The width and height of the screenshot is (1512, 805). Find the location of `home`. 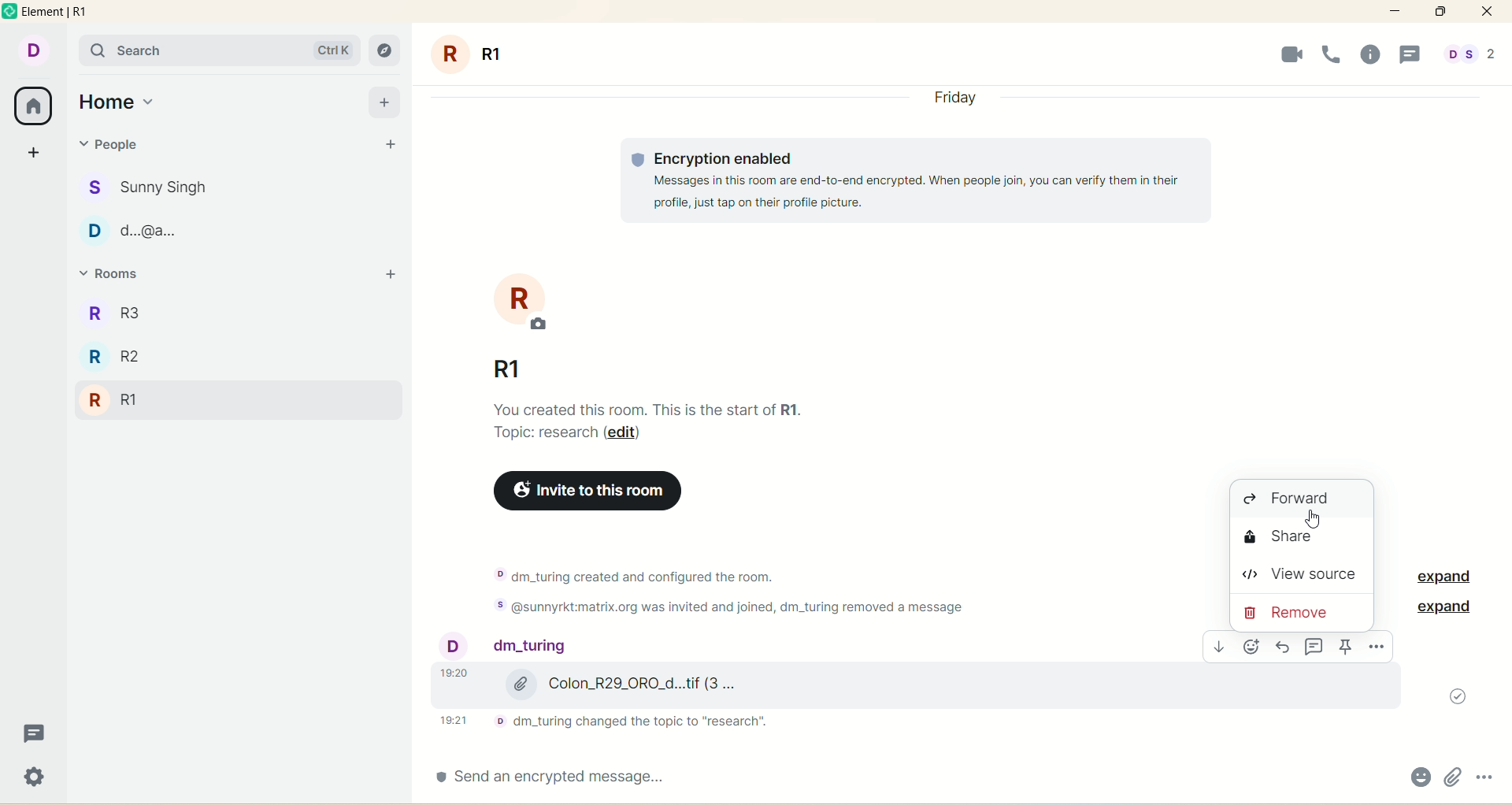

home is located at coordinates (117, 102).